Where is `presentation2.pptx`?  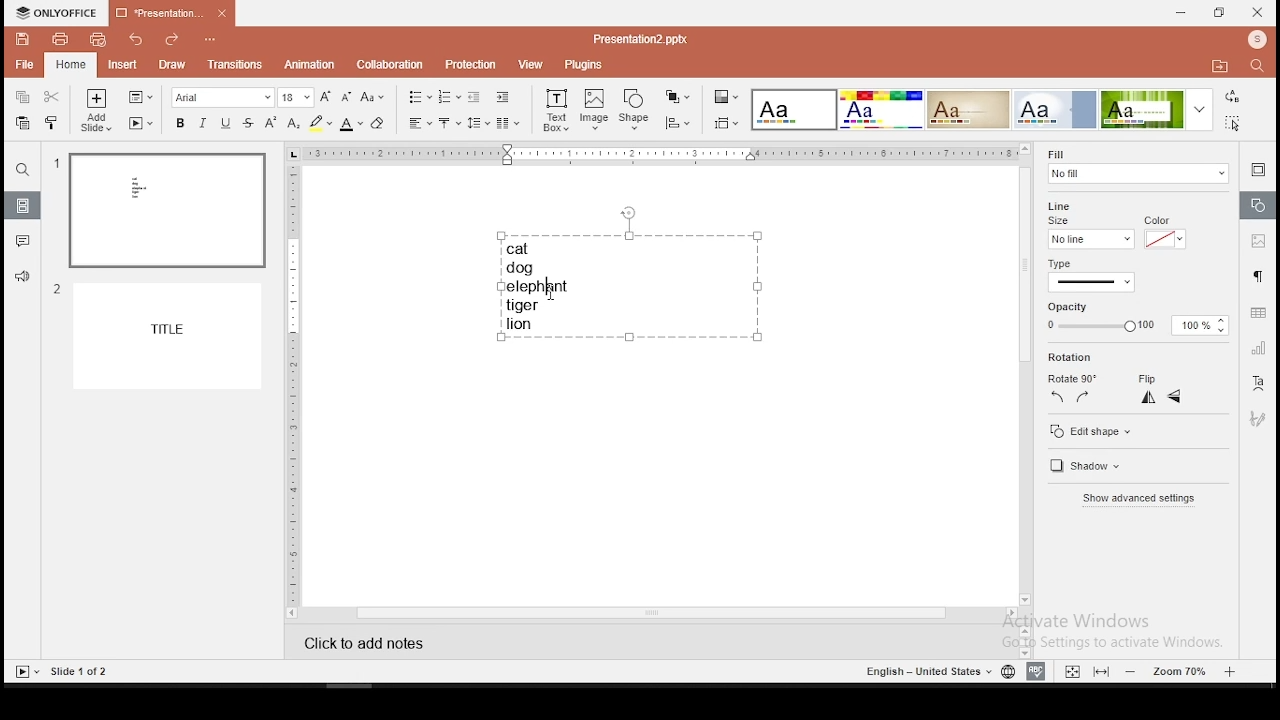
presentation2.pptx is located at coordinates (641, 38).